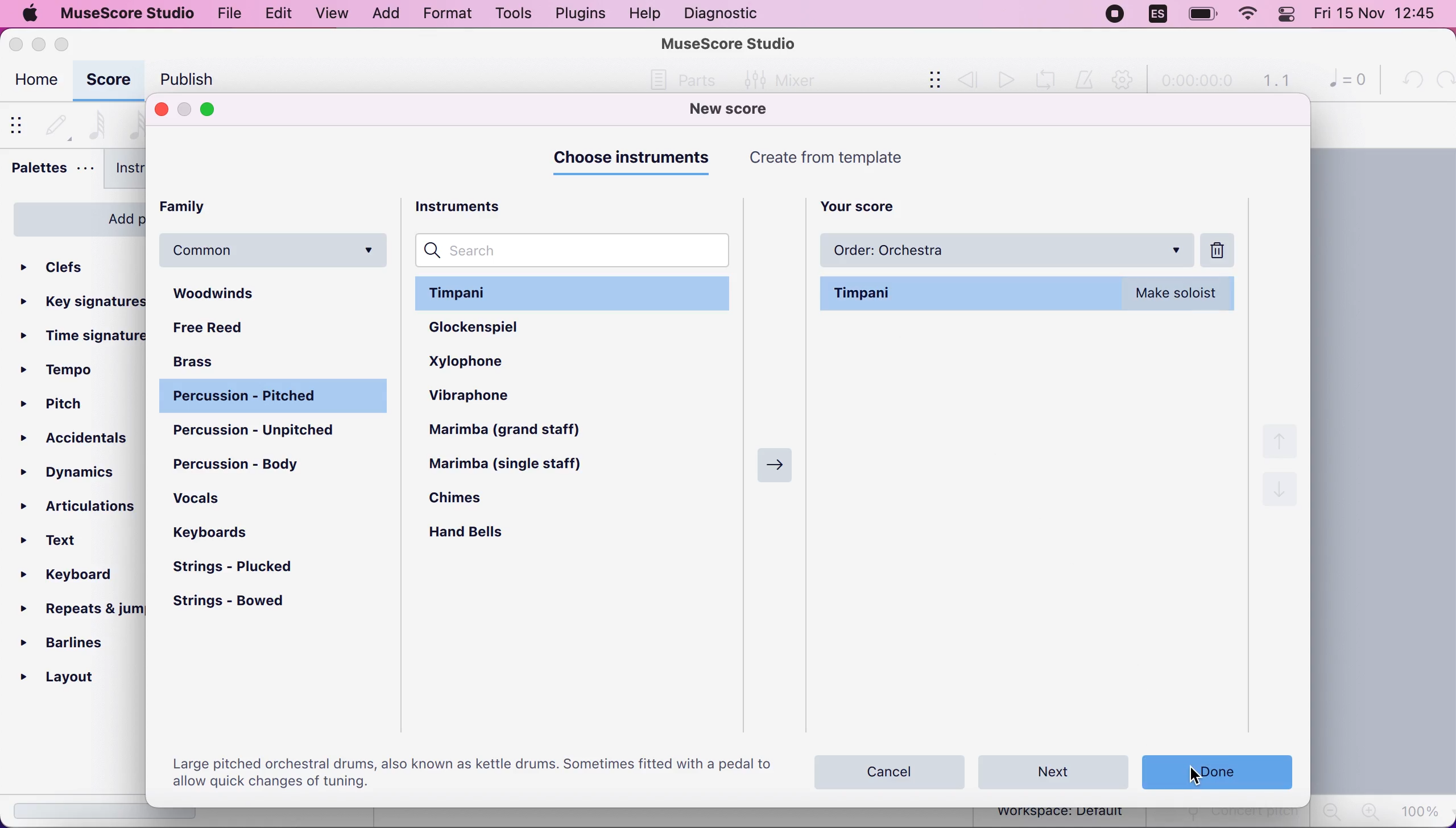 The width and height of the screenshot is (1456, 828). Describe the element at coordinates (35, 82) in the screenshot. I see `home` at that location.